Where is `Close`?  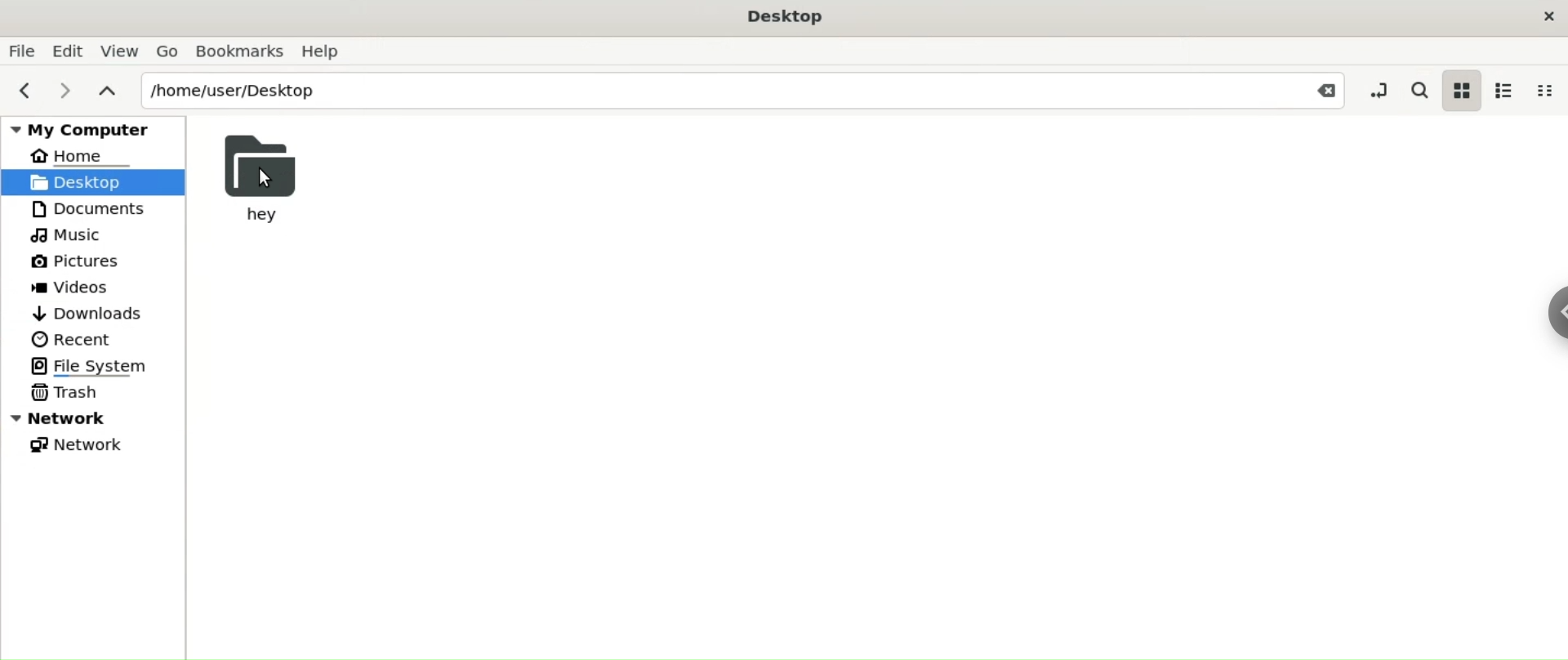
Close is located at coordinates (1535, 16).